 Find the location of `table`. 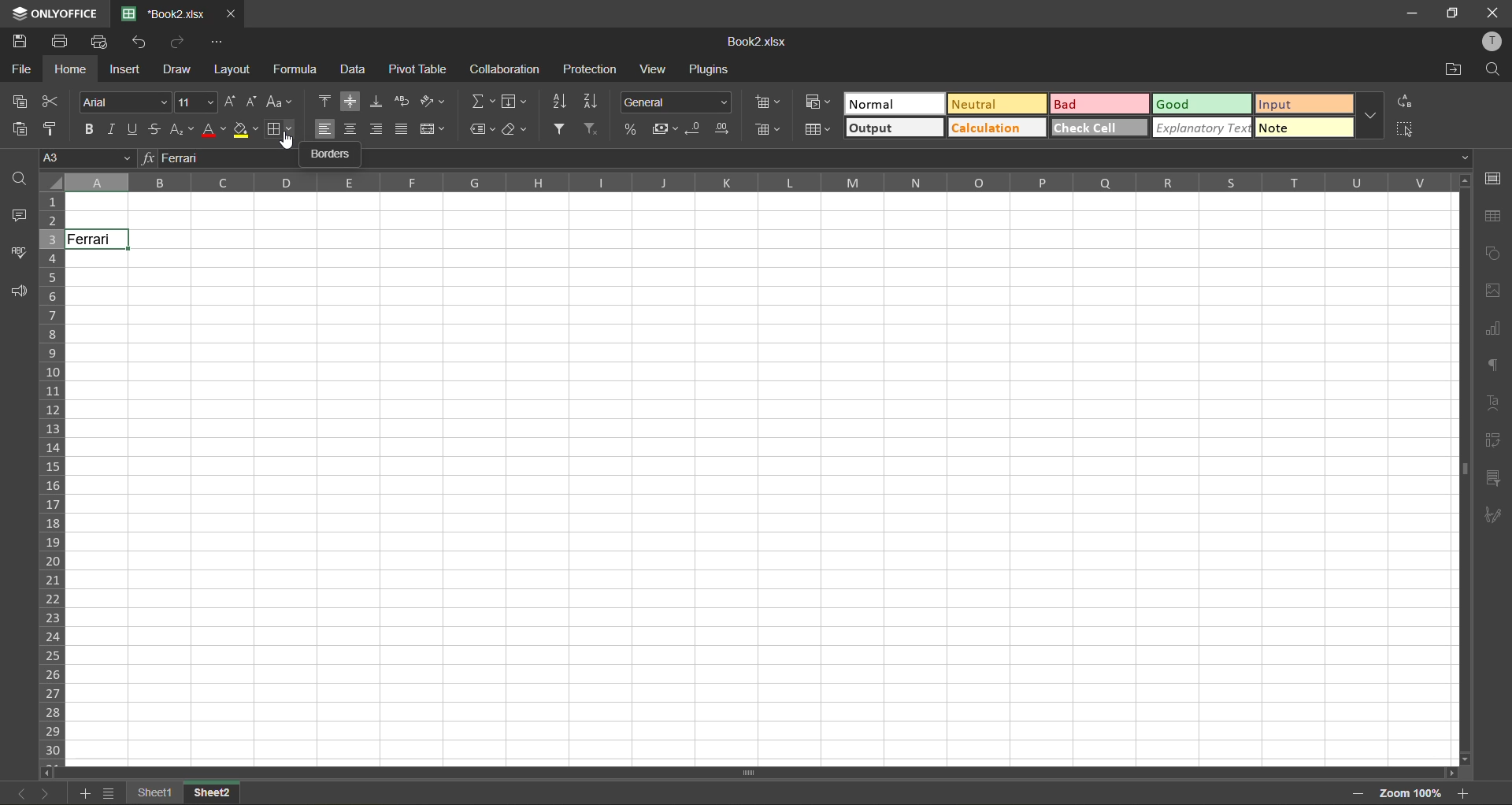

table is located at coordinates (1494, 218).